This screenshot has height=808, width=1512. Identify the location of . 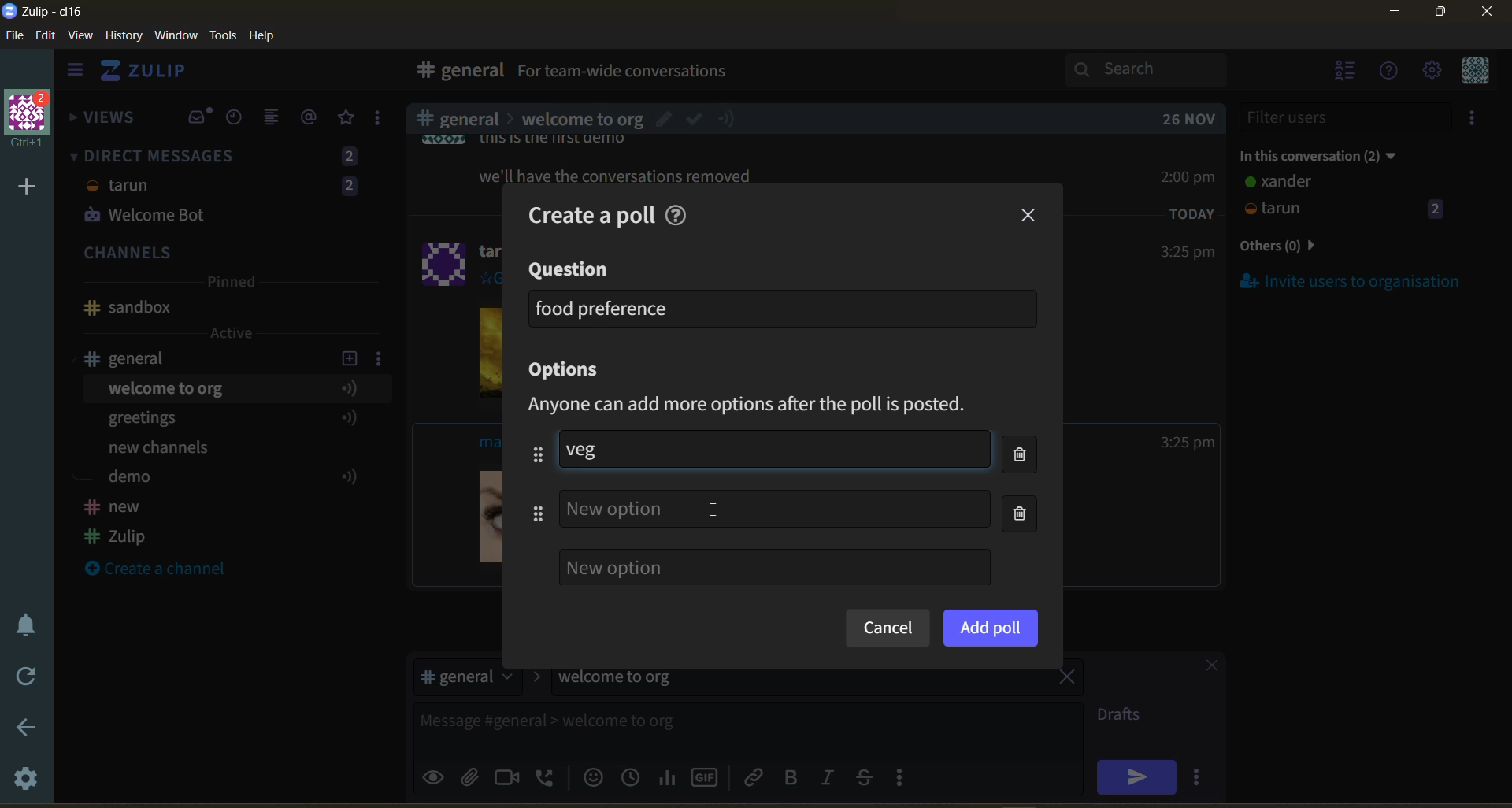
(581, 117).